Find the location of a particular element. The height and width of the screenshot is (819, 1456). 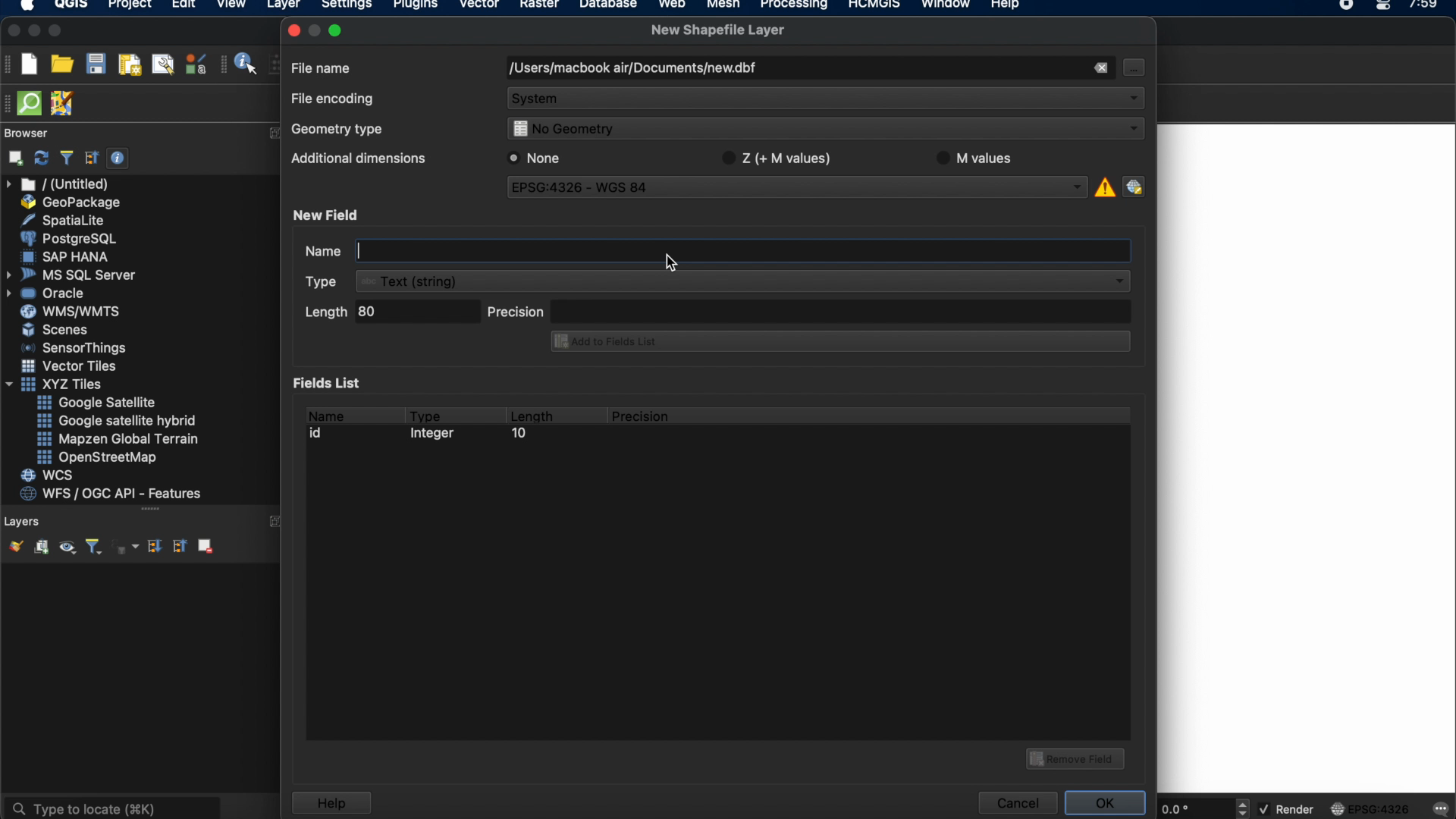

degree is located at coordinates (1192, 808).